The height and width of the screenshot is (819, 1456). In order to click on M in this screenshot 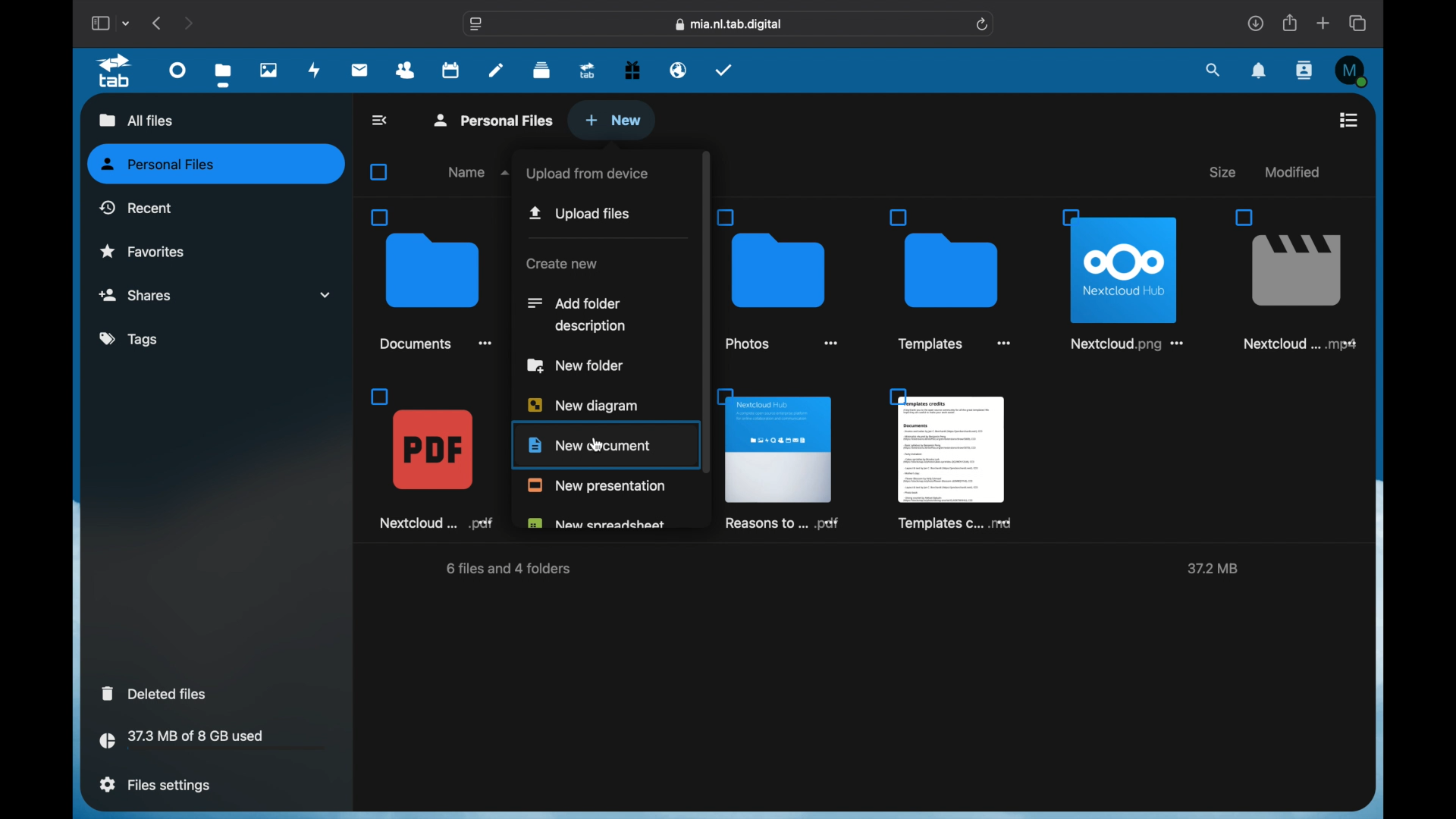, I will do `click(1353, 71)`.